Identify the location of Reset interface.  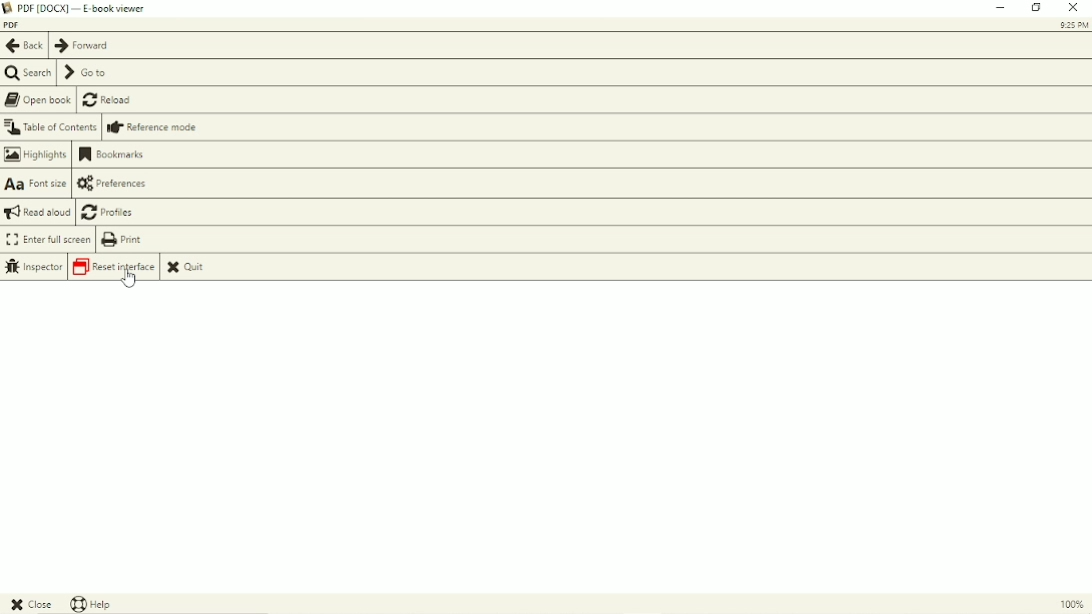
(113, 267).